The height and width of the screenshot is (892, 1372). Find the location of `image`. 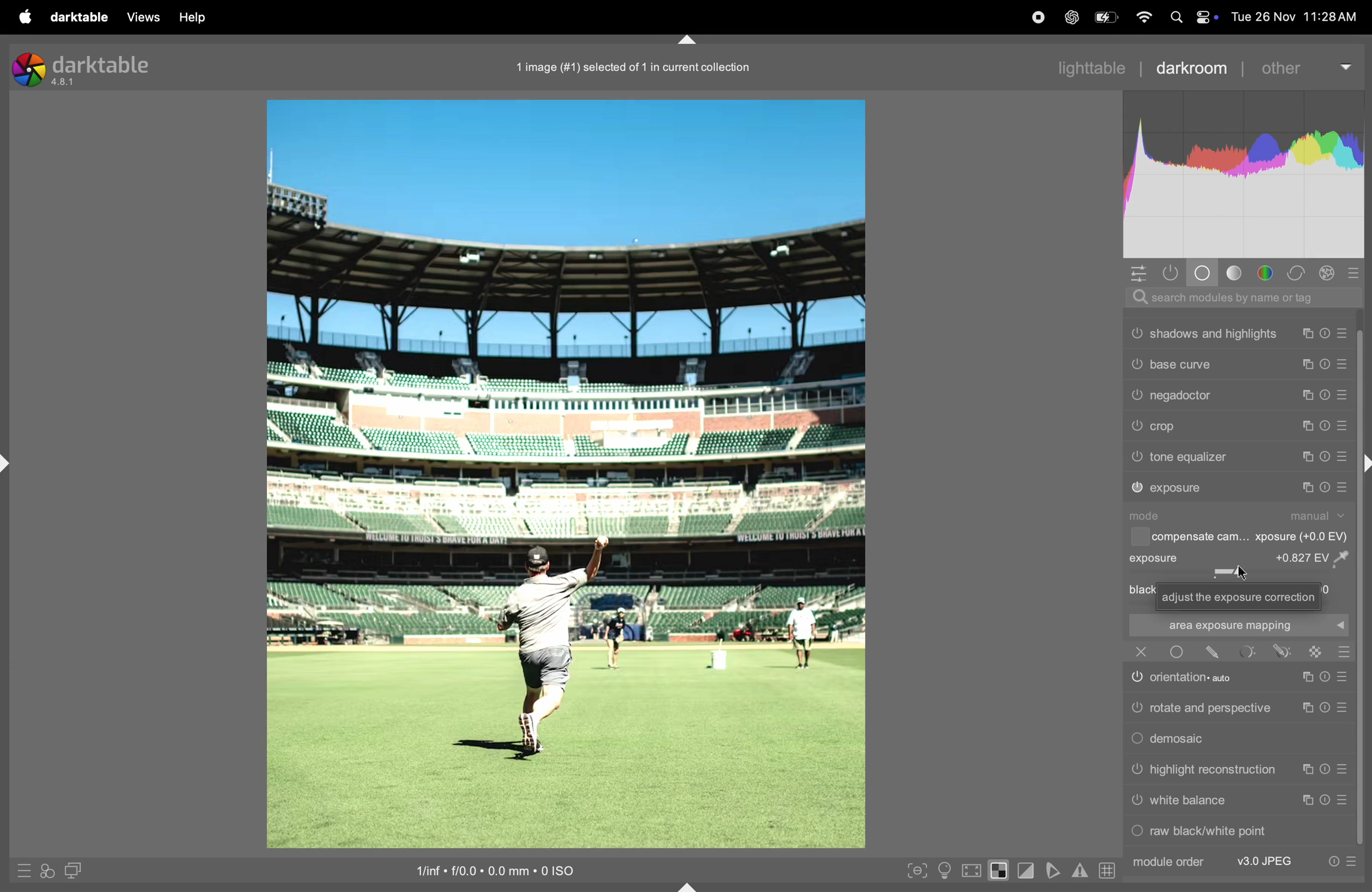

image is located at coordinates (564, 474).